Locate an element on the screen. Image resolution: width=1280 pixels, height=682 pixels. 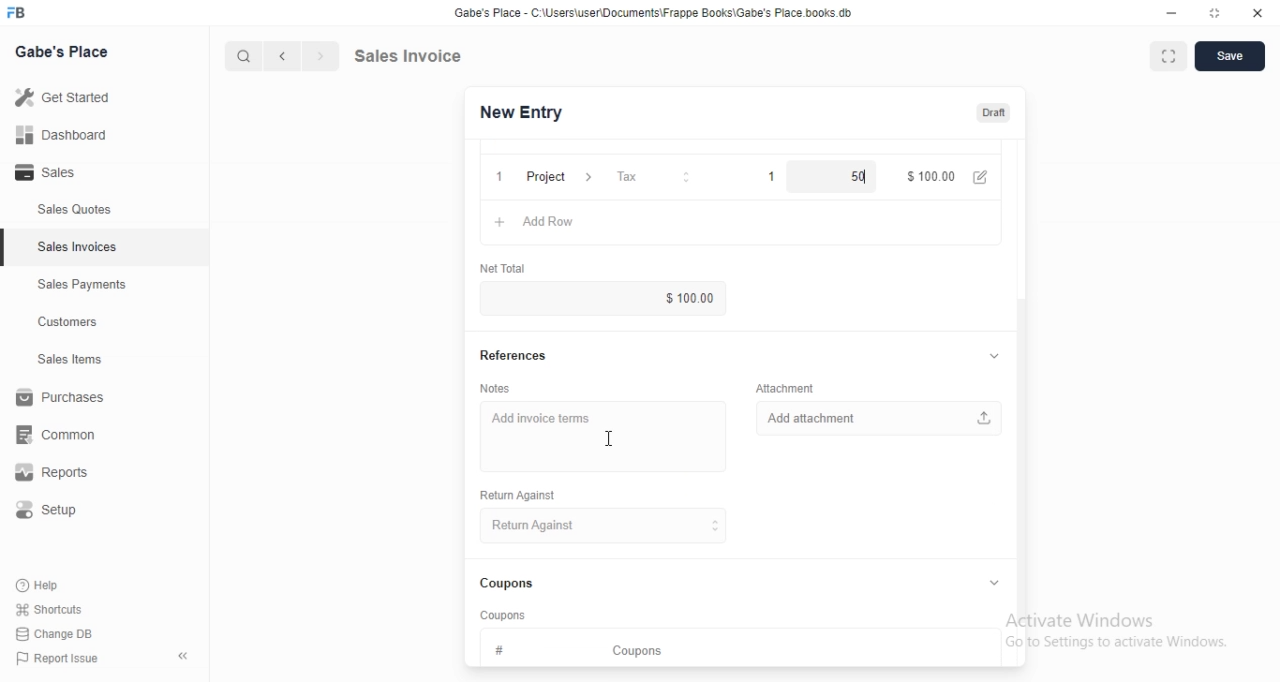
Sales Items is located at coordinates (61, 360).